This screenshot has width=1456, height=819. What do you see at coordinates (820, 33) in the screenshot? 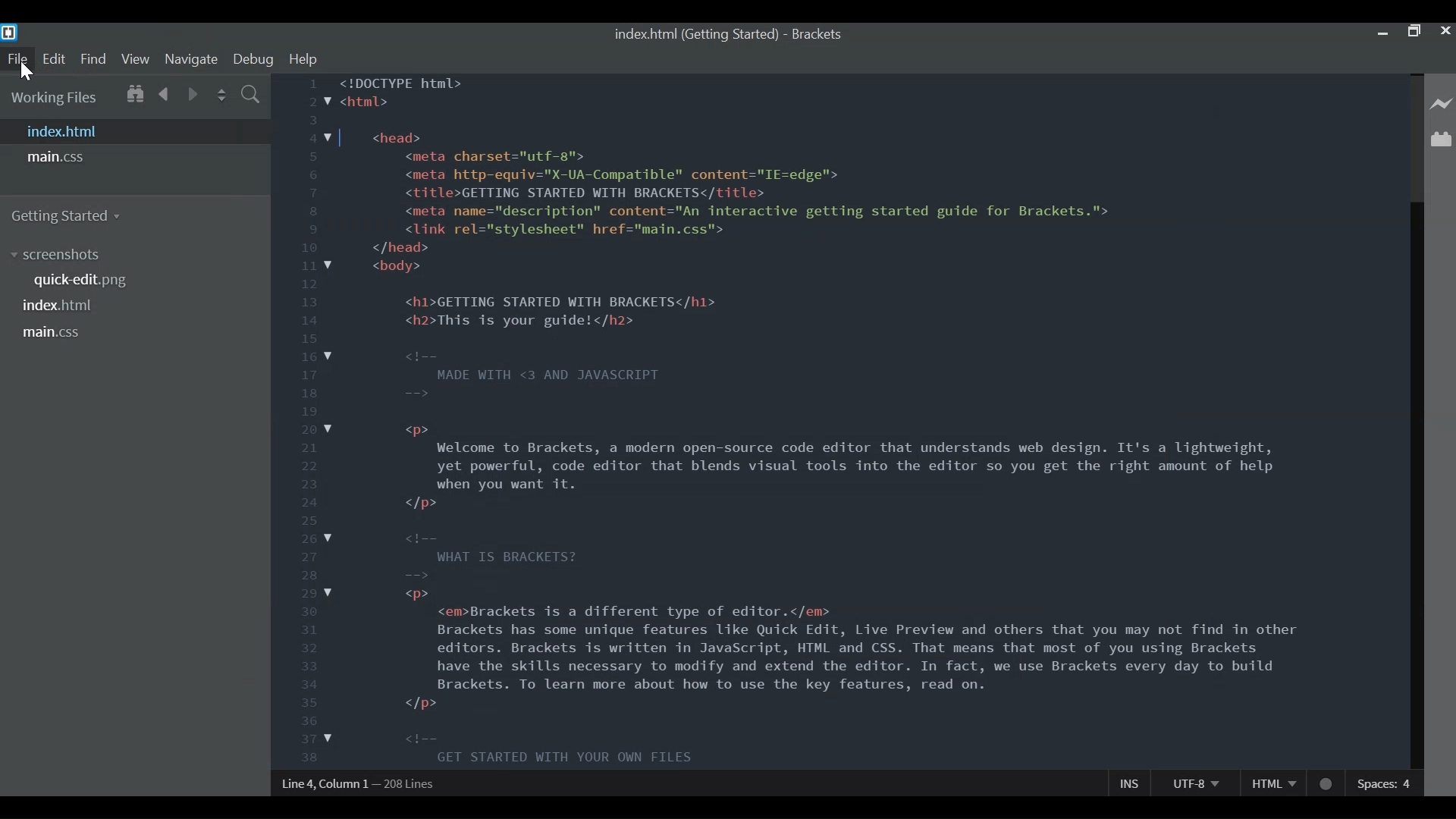
I see `Brackets` at bounding box center [820, 33].